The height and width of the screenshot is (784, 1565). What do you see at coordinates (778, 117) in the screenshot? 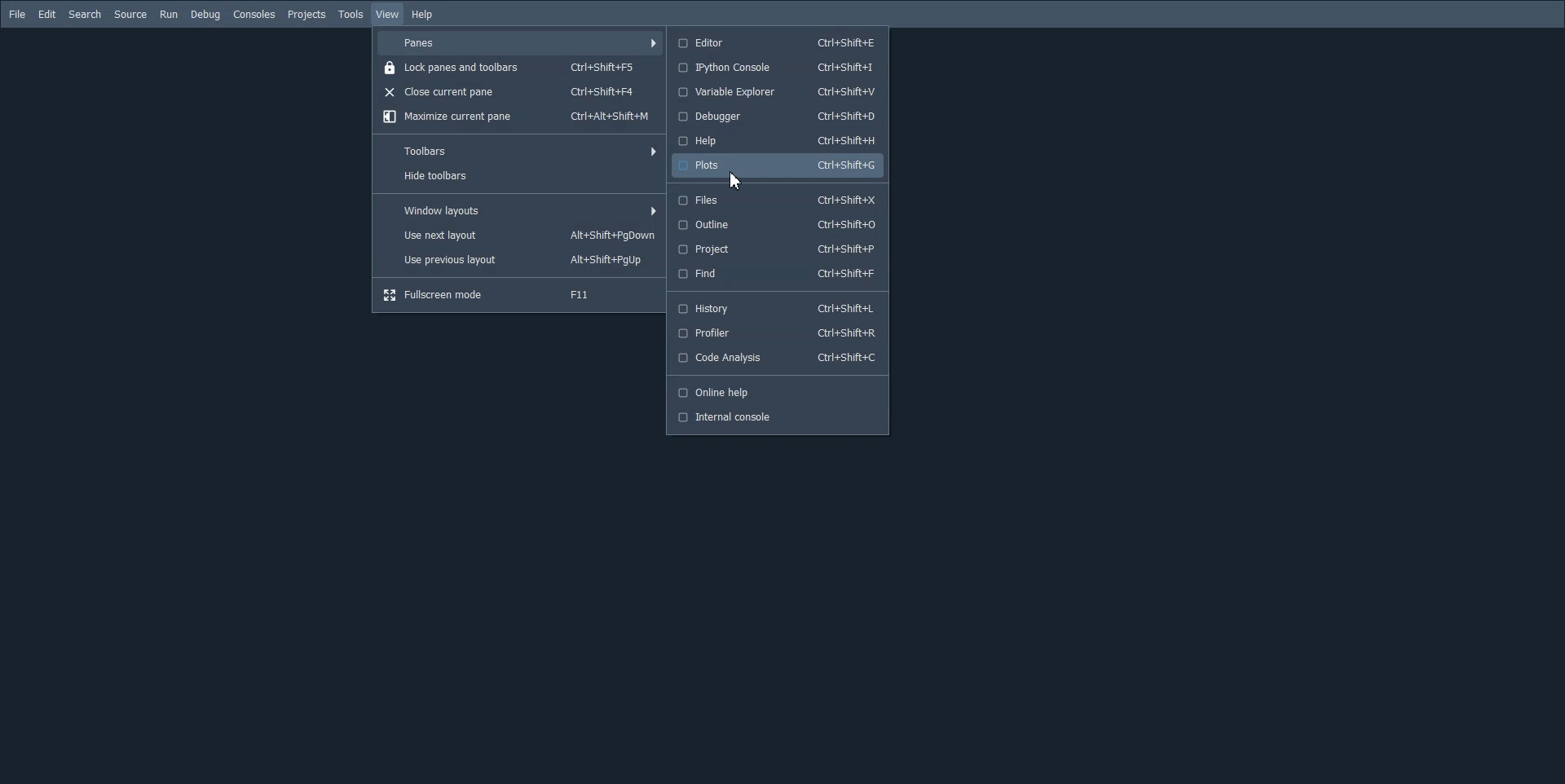
I see `Debugger` at bounding box center [778, 117].